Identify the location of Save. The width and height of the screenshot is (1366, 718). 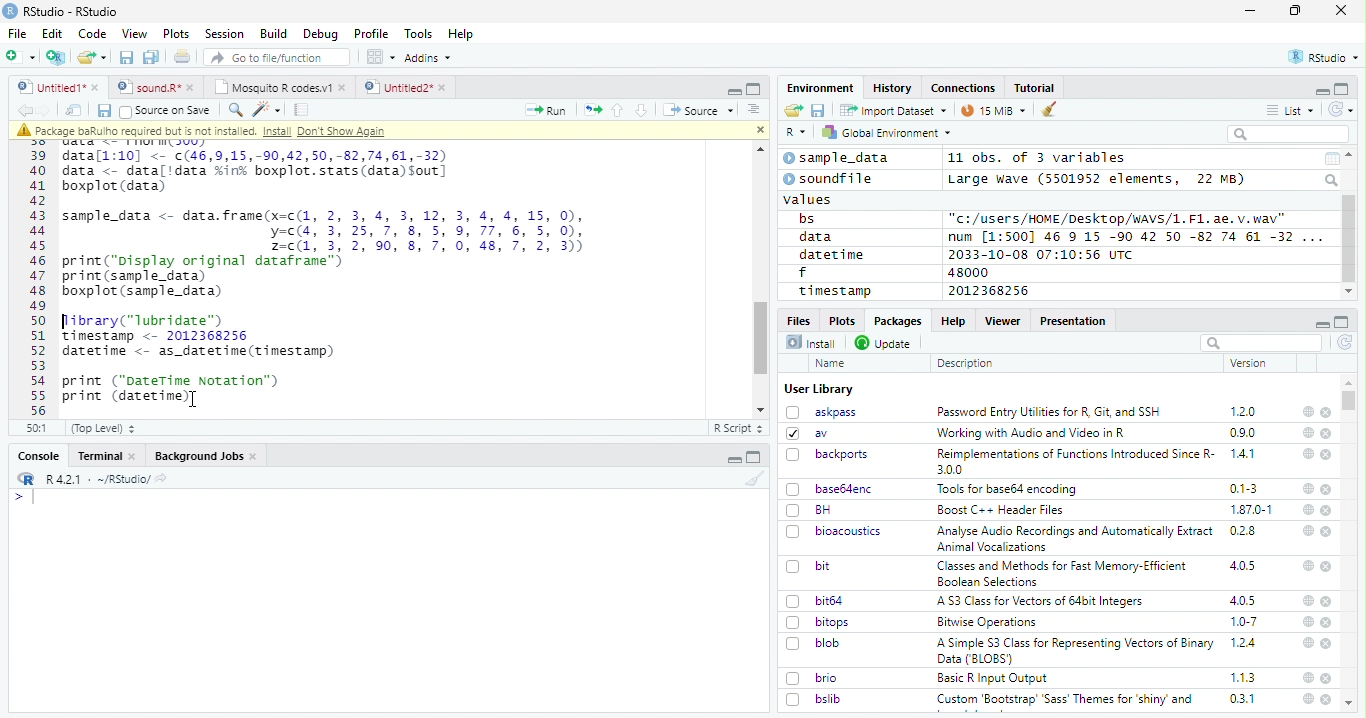
(819, 111).